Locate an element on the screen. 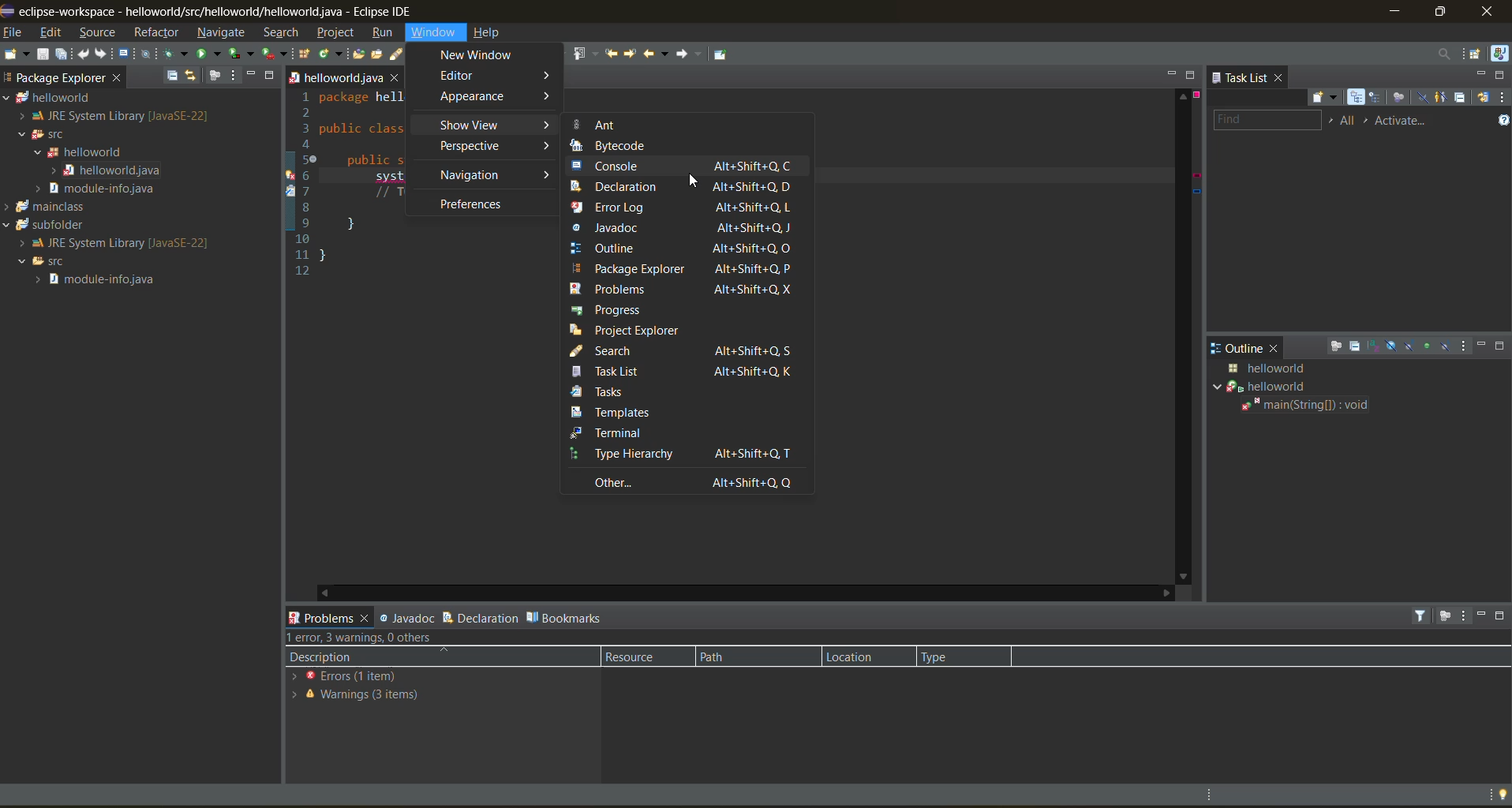 The width and height of the screenshot is (1512, 808). ant is located at coordinates (608, 125).